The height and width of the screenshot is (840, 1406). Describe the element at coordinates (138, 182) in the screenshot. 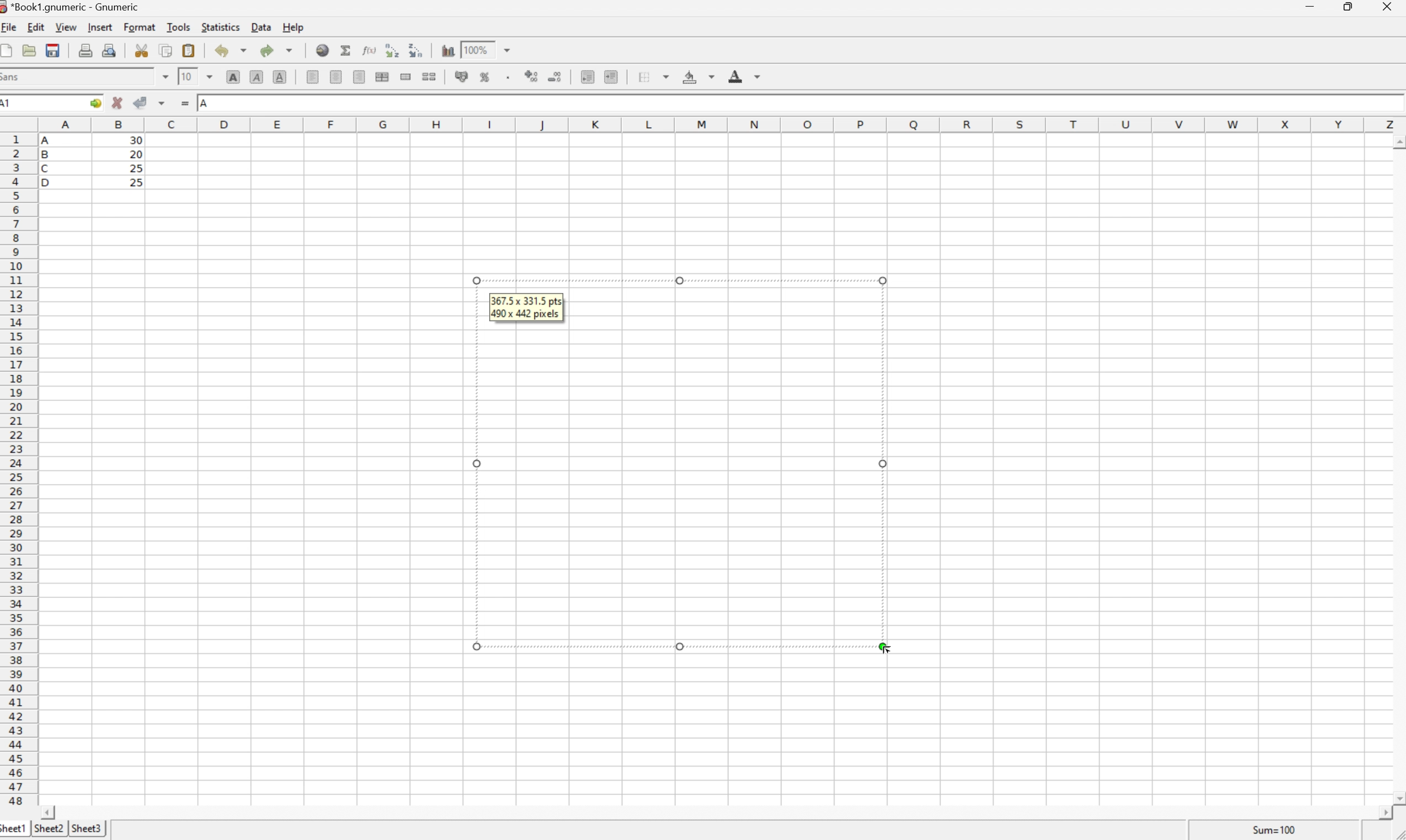

I see `25` at that location.